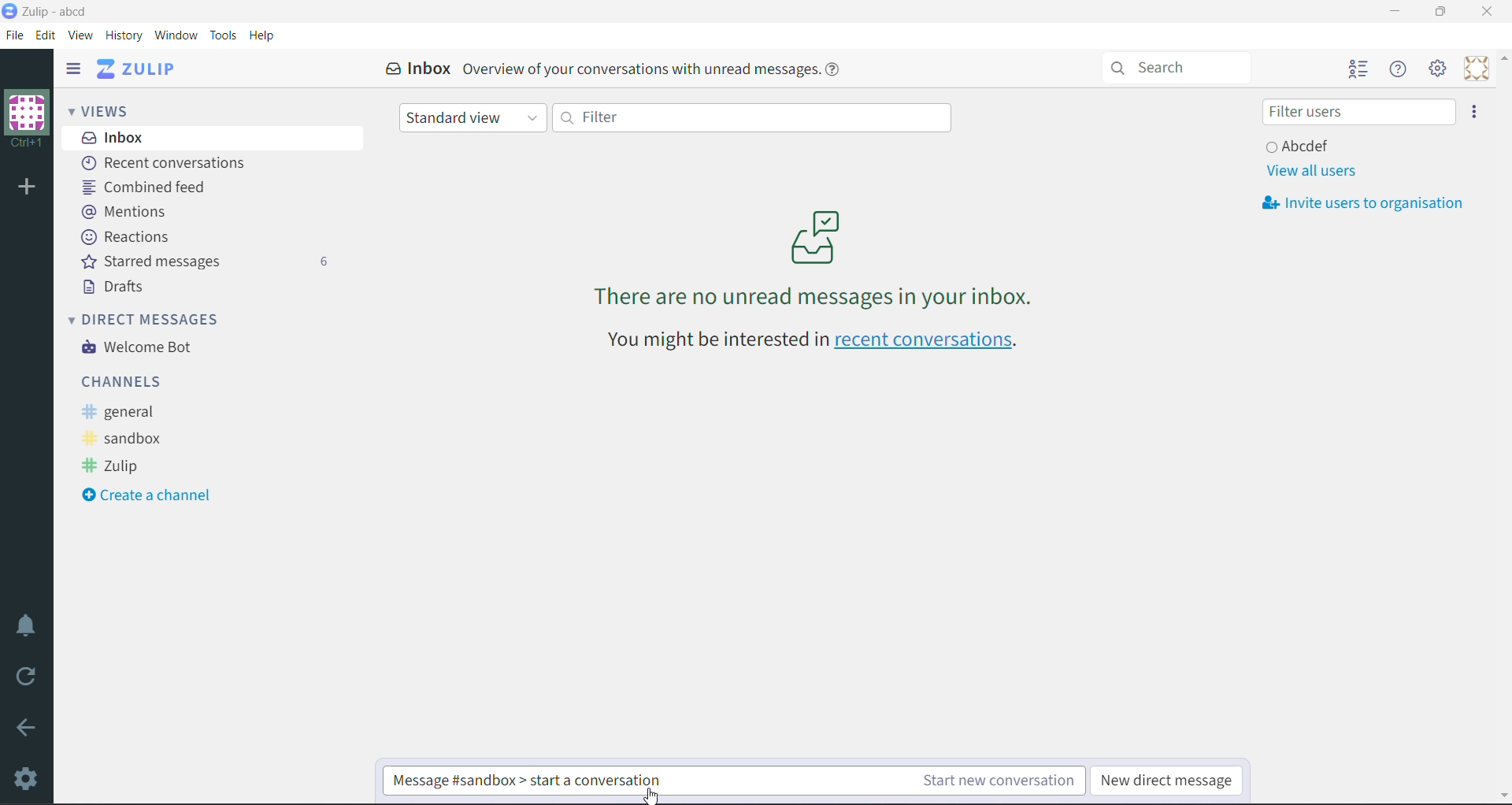  What do you see at coordinates (1439, 69) in the screenshot?
I see `Main Menu` at bounding box center [1439, 69].